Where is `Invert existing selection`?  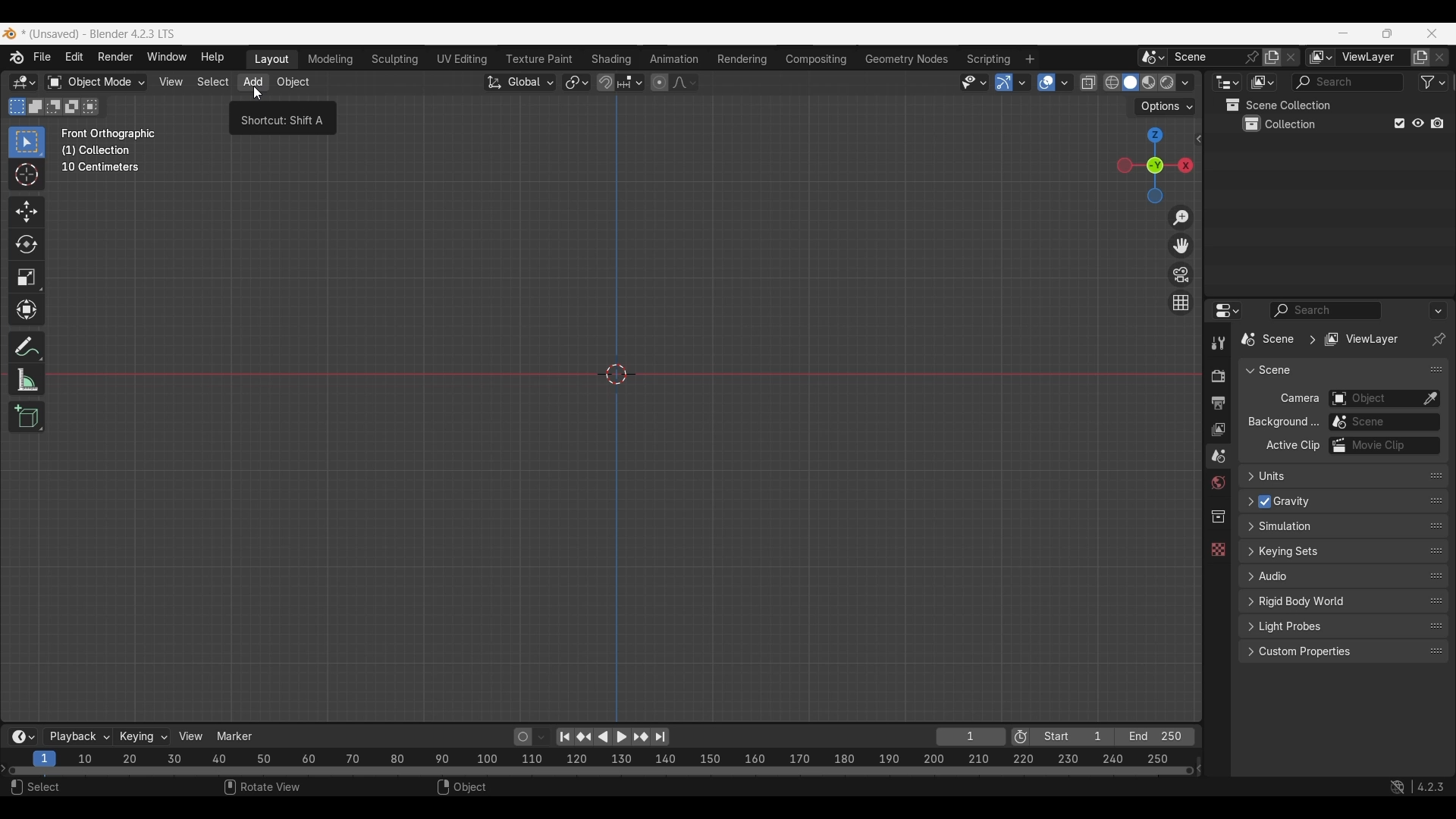 Invert existing selection is located at coordinates (72, 107).